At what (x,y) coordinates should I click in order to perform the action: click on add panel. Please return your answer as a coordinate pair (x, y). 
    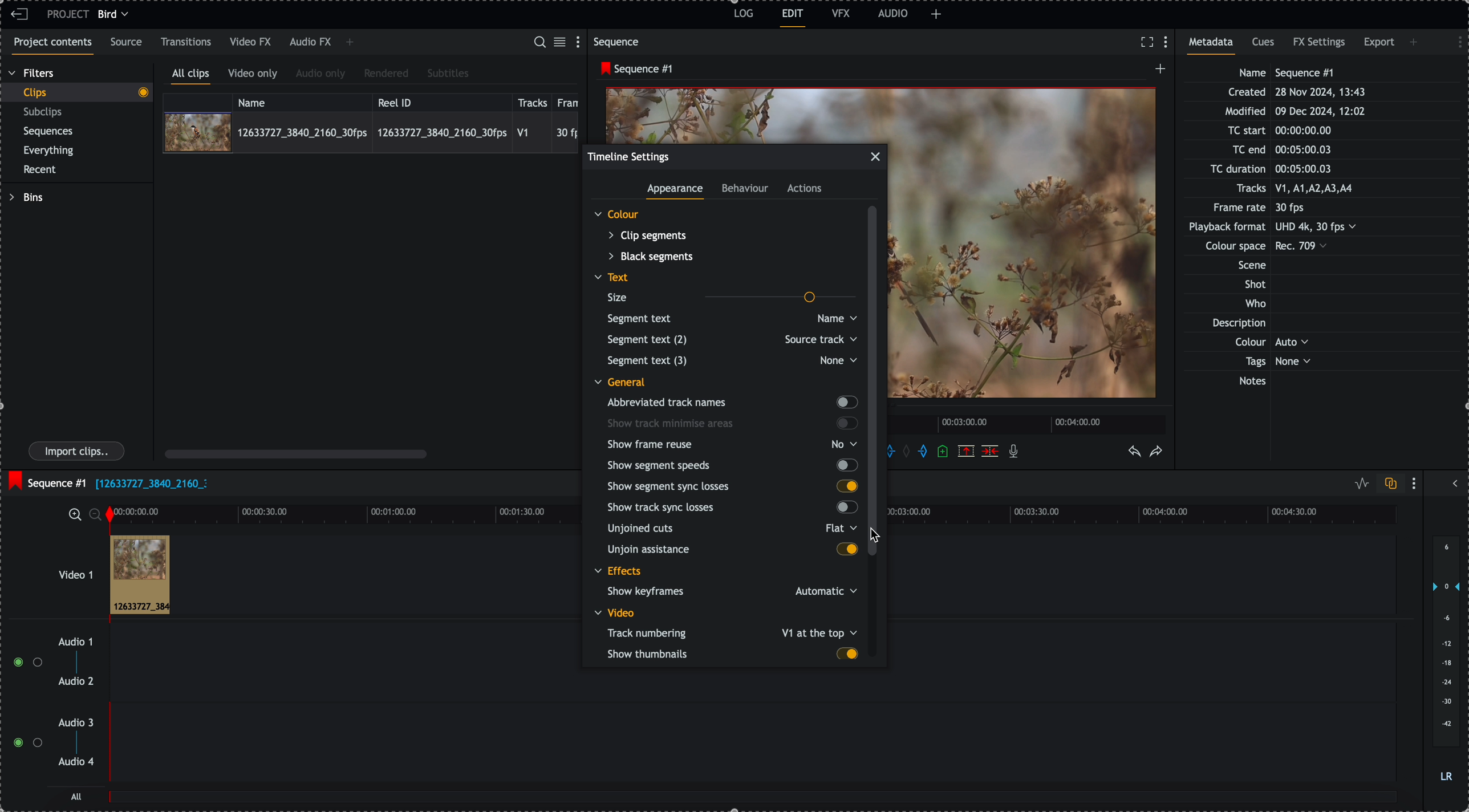
    Looking at the image, I should click on (936, 14).